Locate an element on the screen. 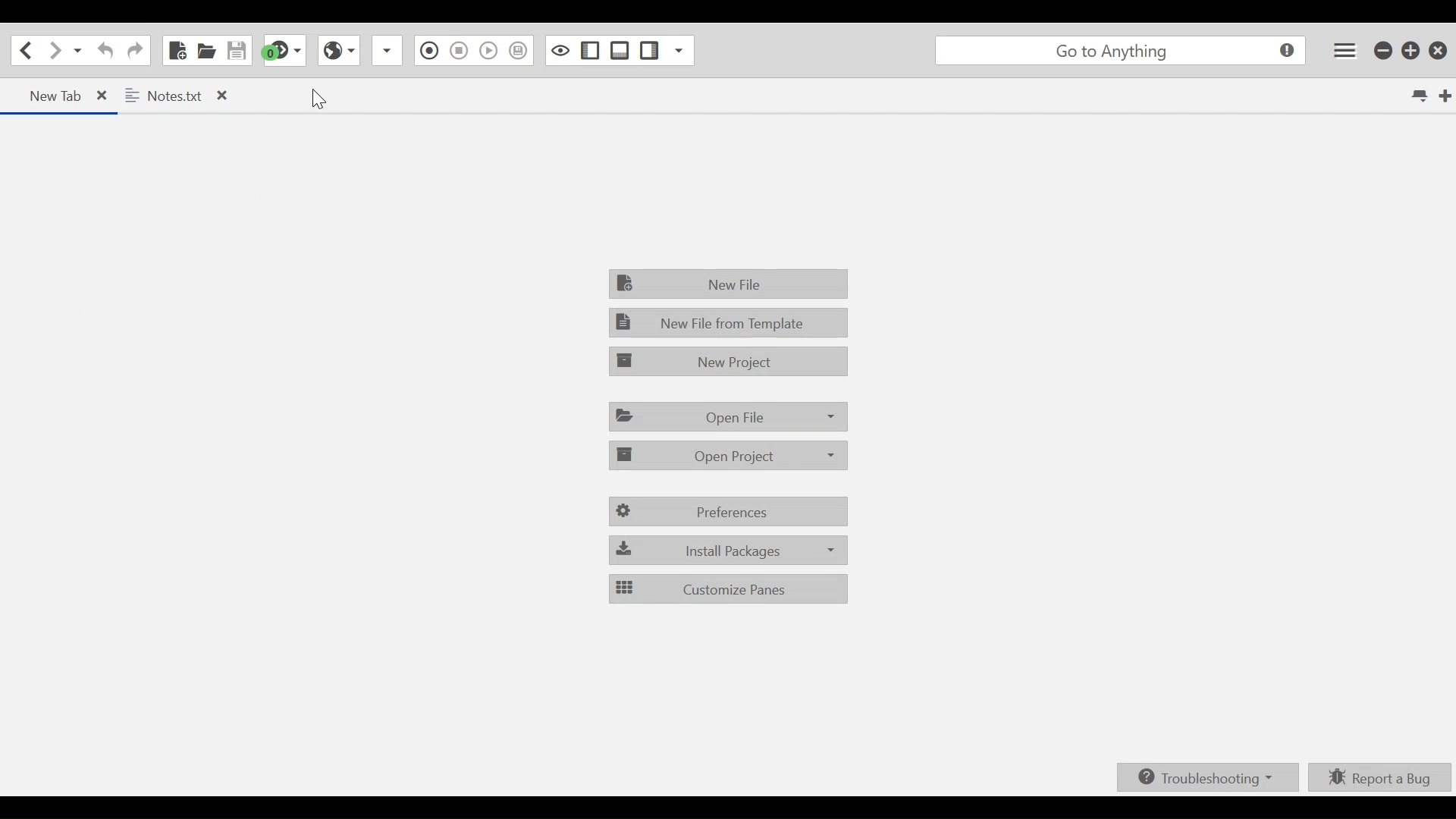  View in Browser is located at coordinates (339, 52).